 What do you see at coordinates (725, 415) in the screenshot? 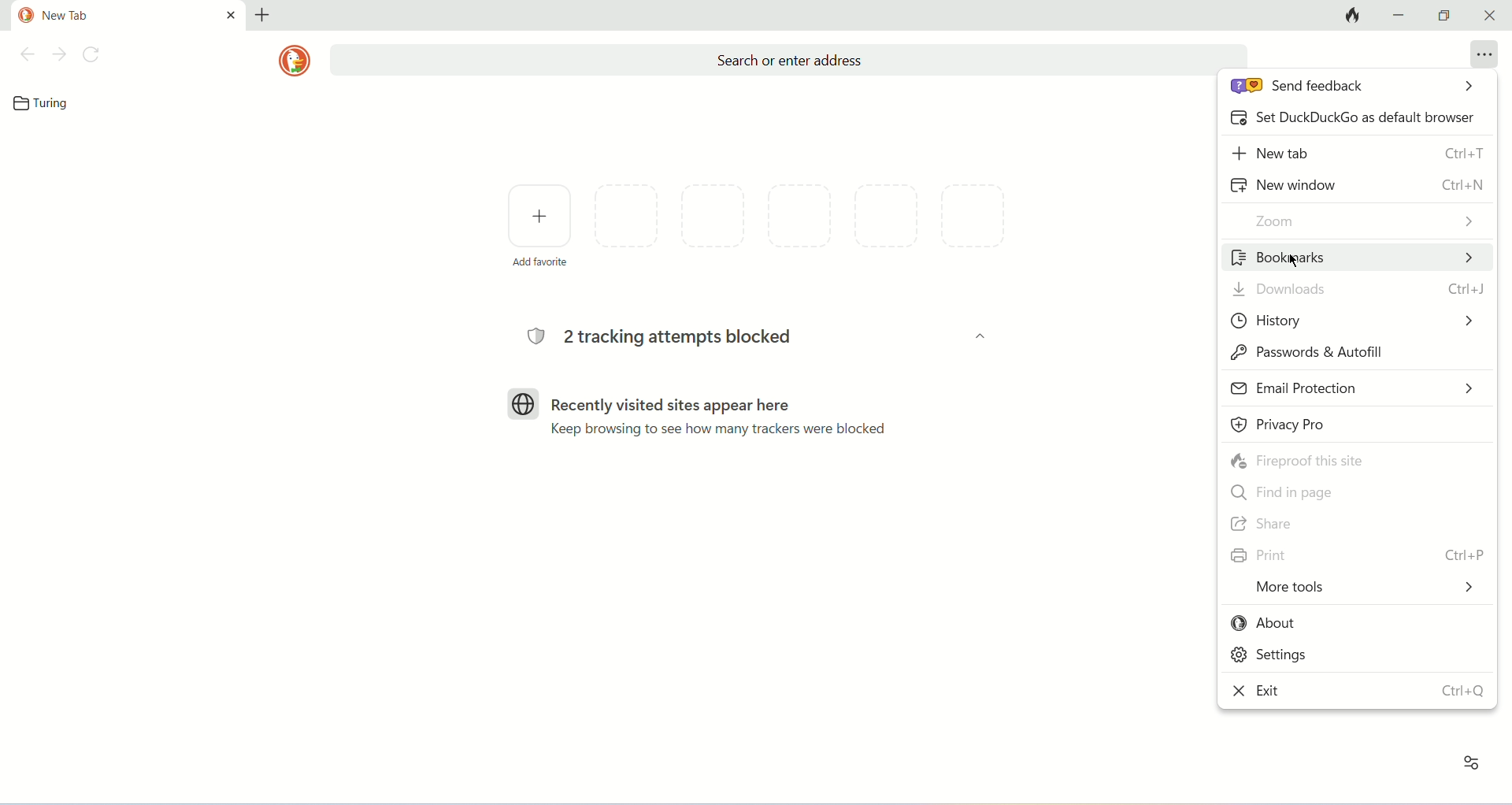
I see `Recently visited sites appear here
Keep browsing to see how many trackers were blocked` at bounding box center [725, 415].